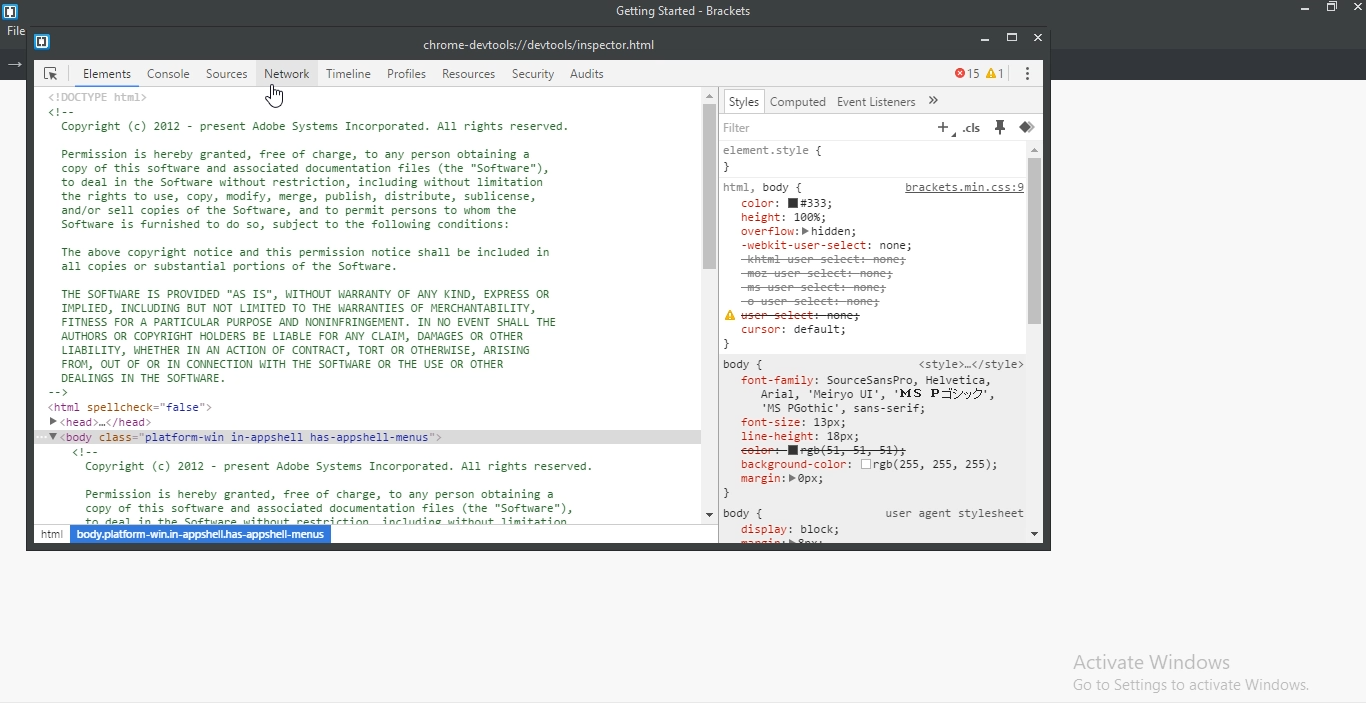 This screenshot has height=728, width=1366. What do you see at coordinates (745, 102) in the screenshot?
I see `styles` at bounding box center [745, 102].